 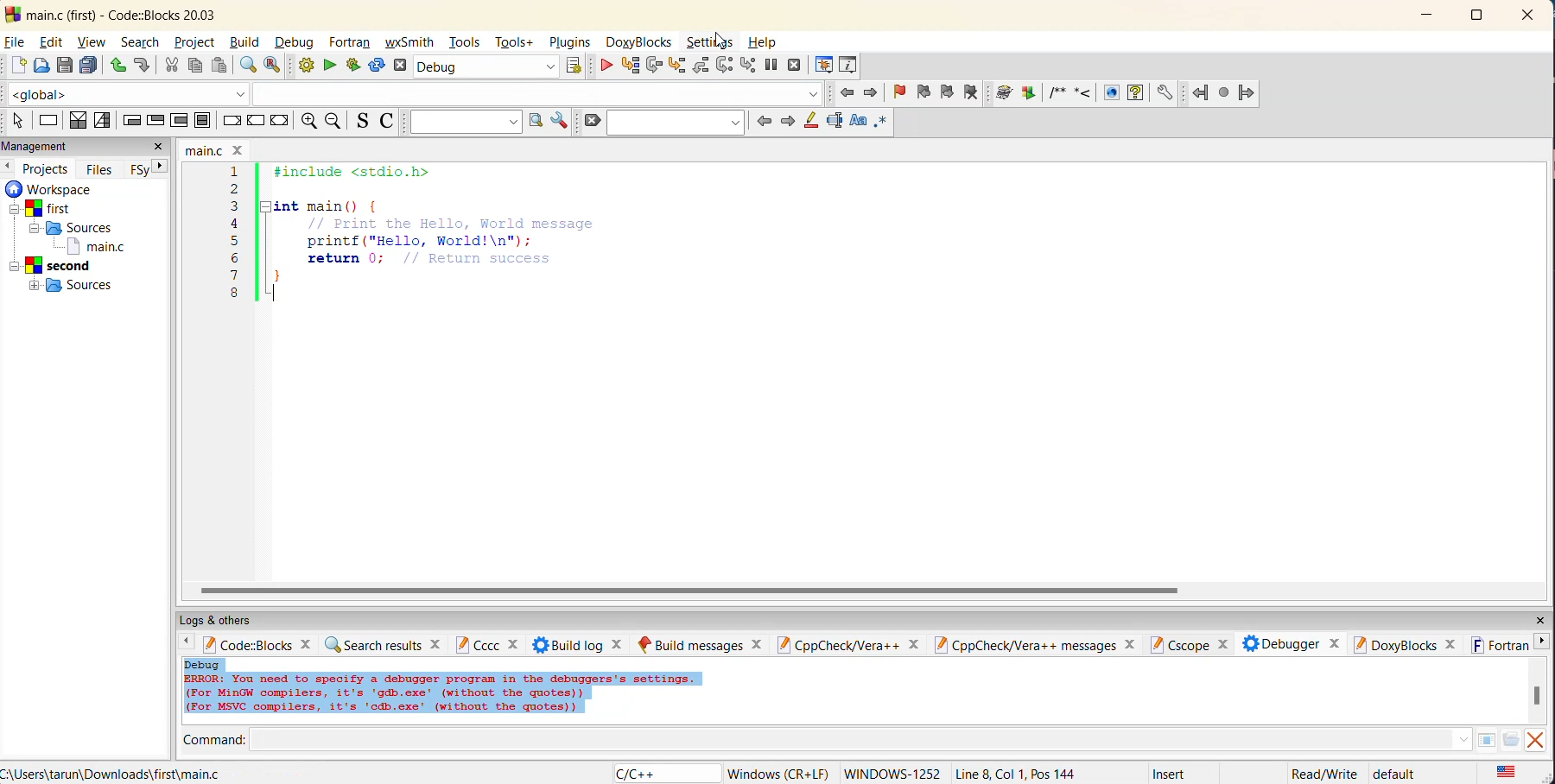 What do you see at coordinates (49, 123) in the screenshot?
I see `instruction` at bounding box center [49, 123].